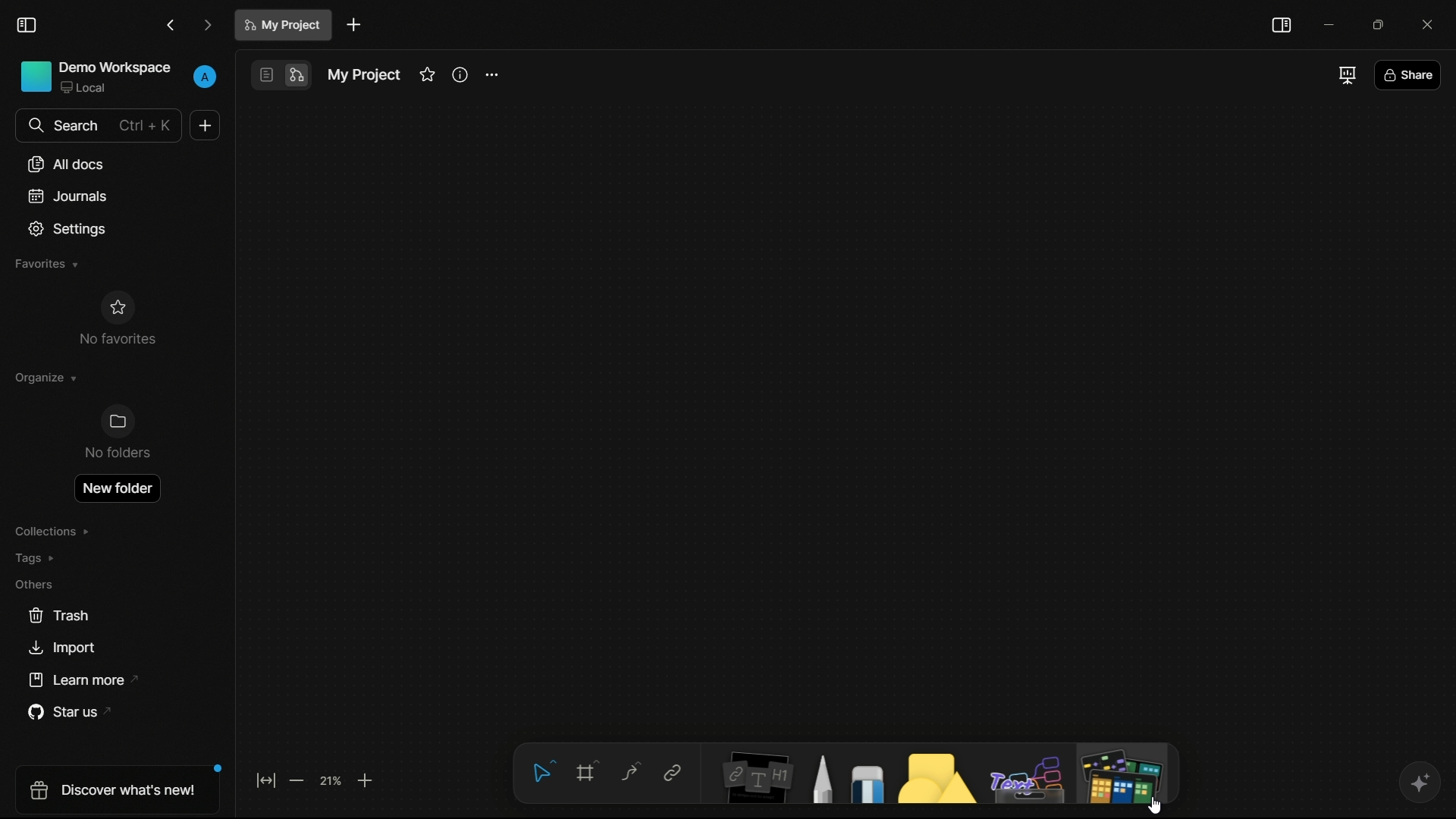 The height and width of the screenshot is (819, 1456). Describe the element at coordinates (111, 788) in the screenshot. I see `discover what's new` at that location.